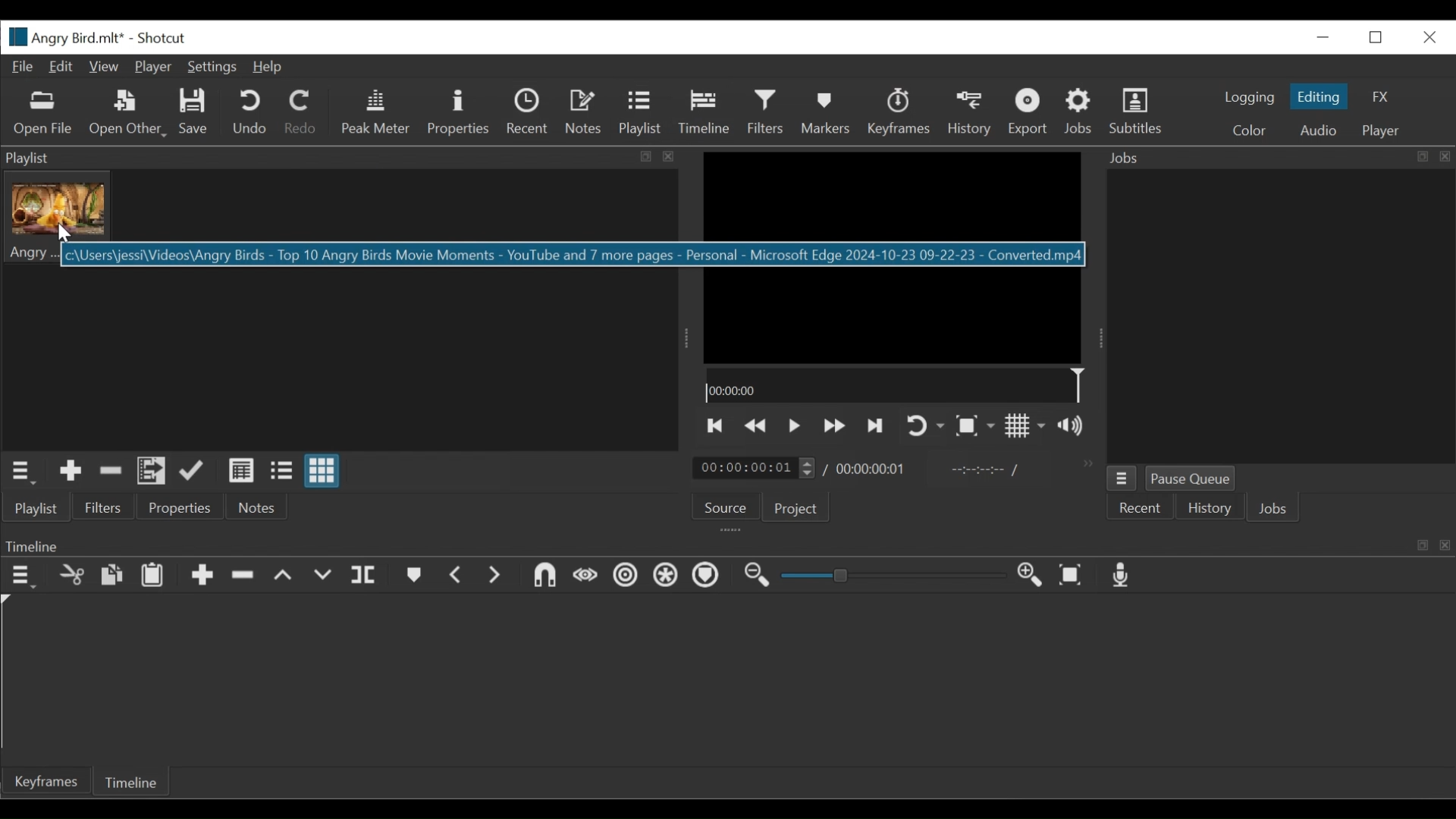 The image size is (1456, 819). I want to click on Snap, so click(544, 576).